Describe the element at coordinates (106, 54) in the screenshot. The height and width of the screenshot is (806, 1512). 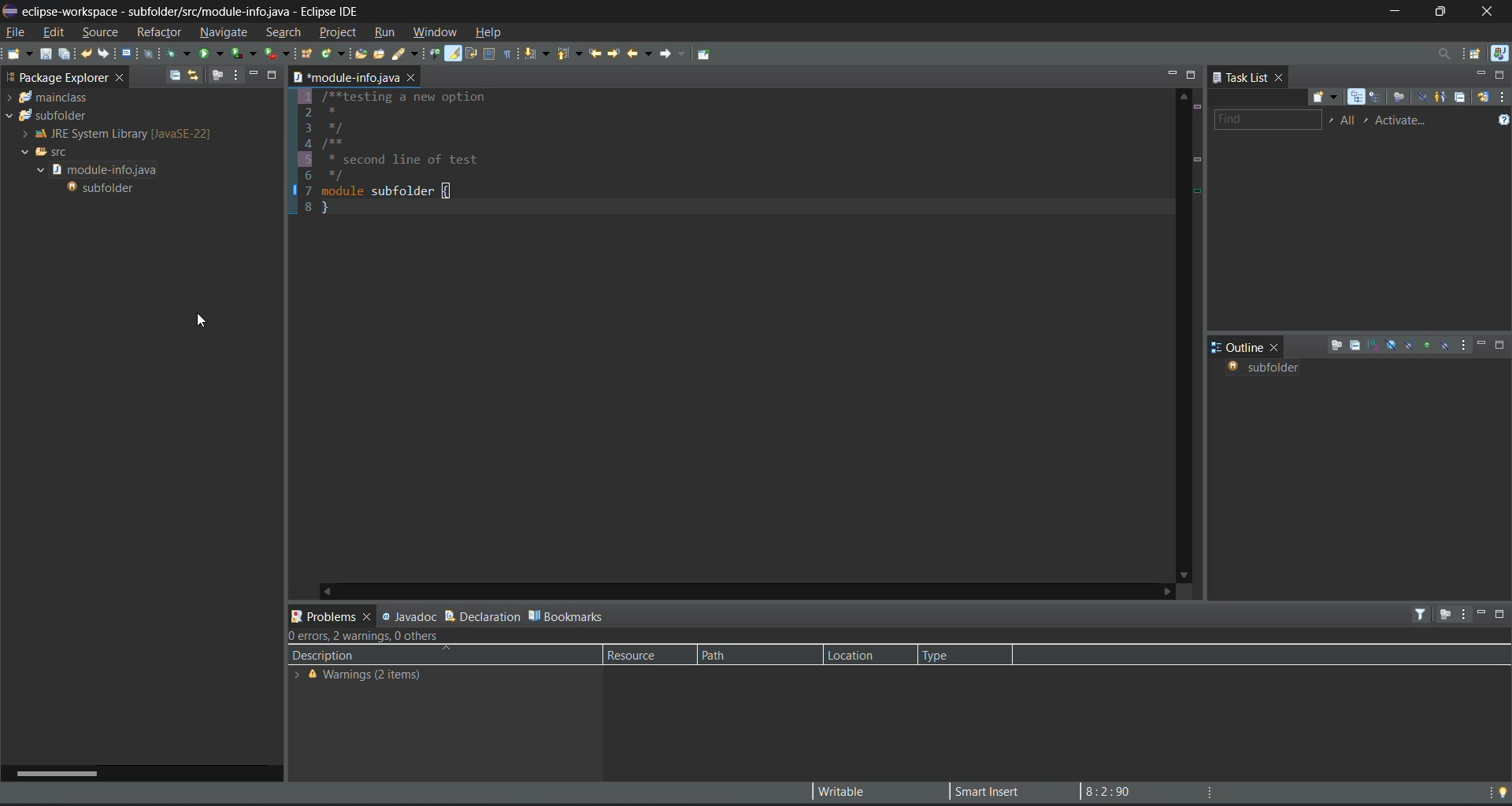
I see `redo` at that location.